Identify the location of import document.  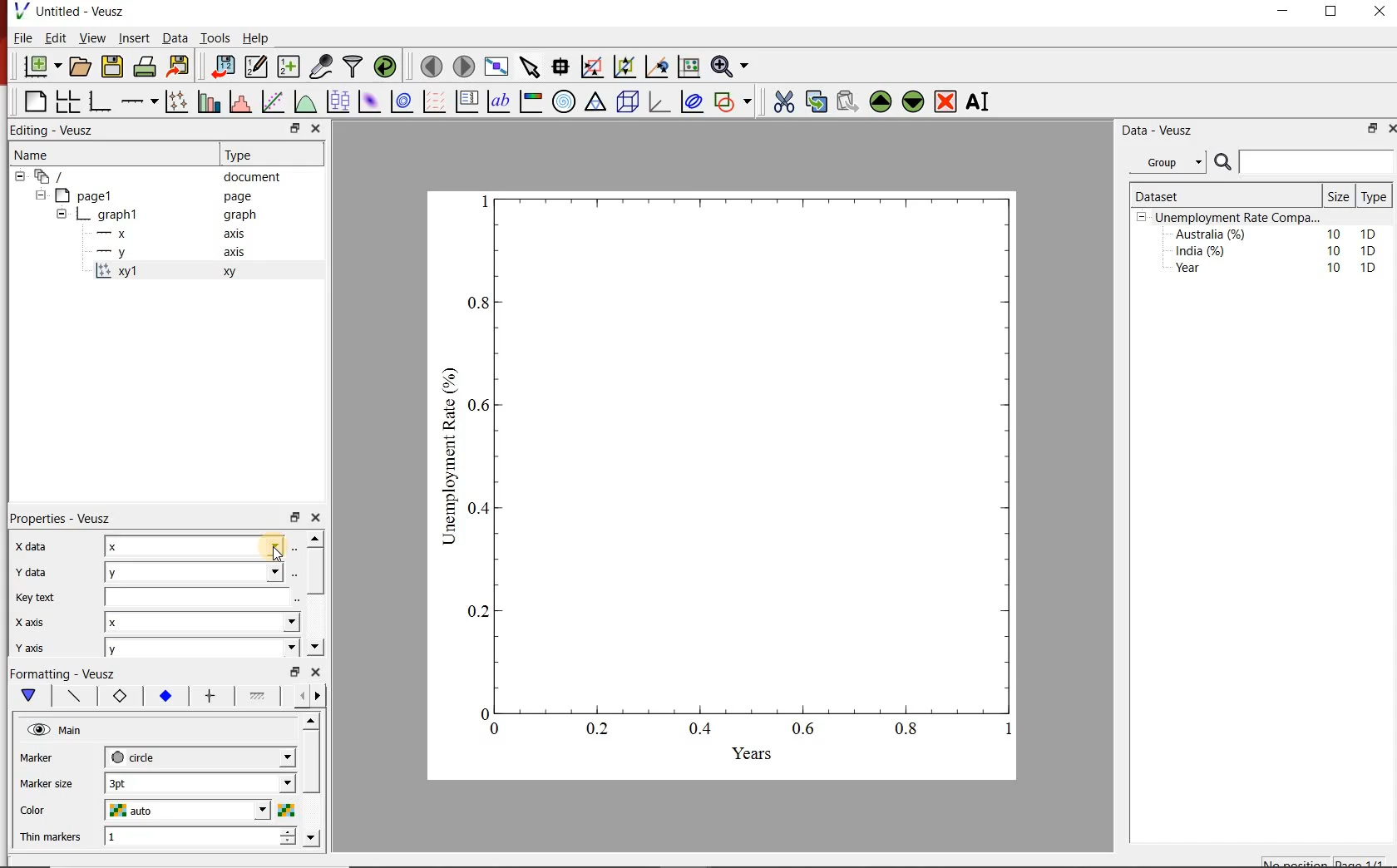
(225, 65).